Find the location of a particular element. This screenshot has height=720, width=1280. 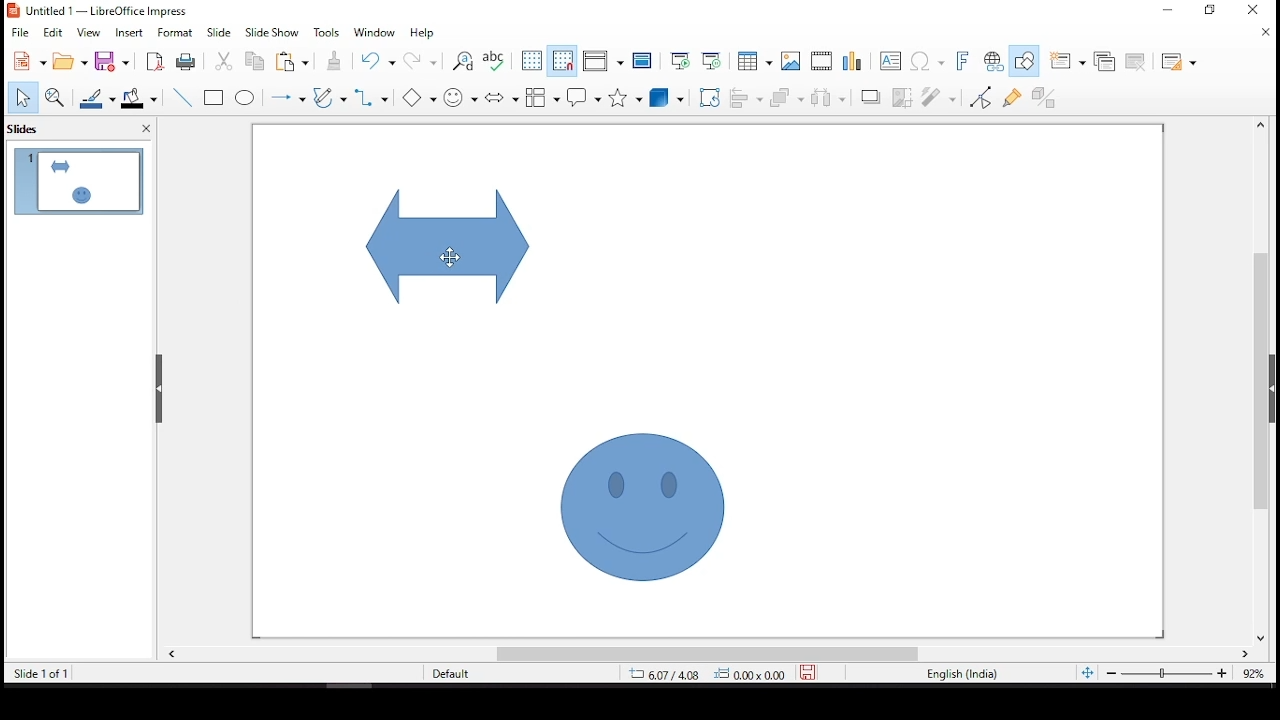

save is located at coordinates (114, 62).